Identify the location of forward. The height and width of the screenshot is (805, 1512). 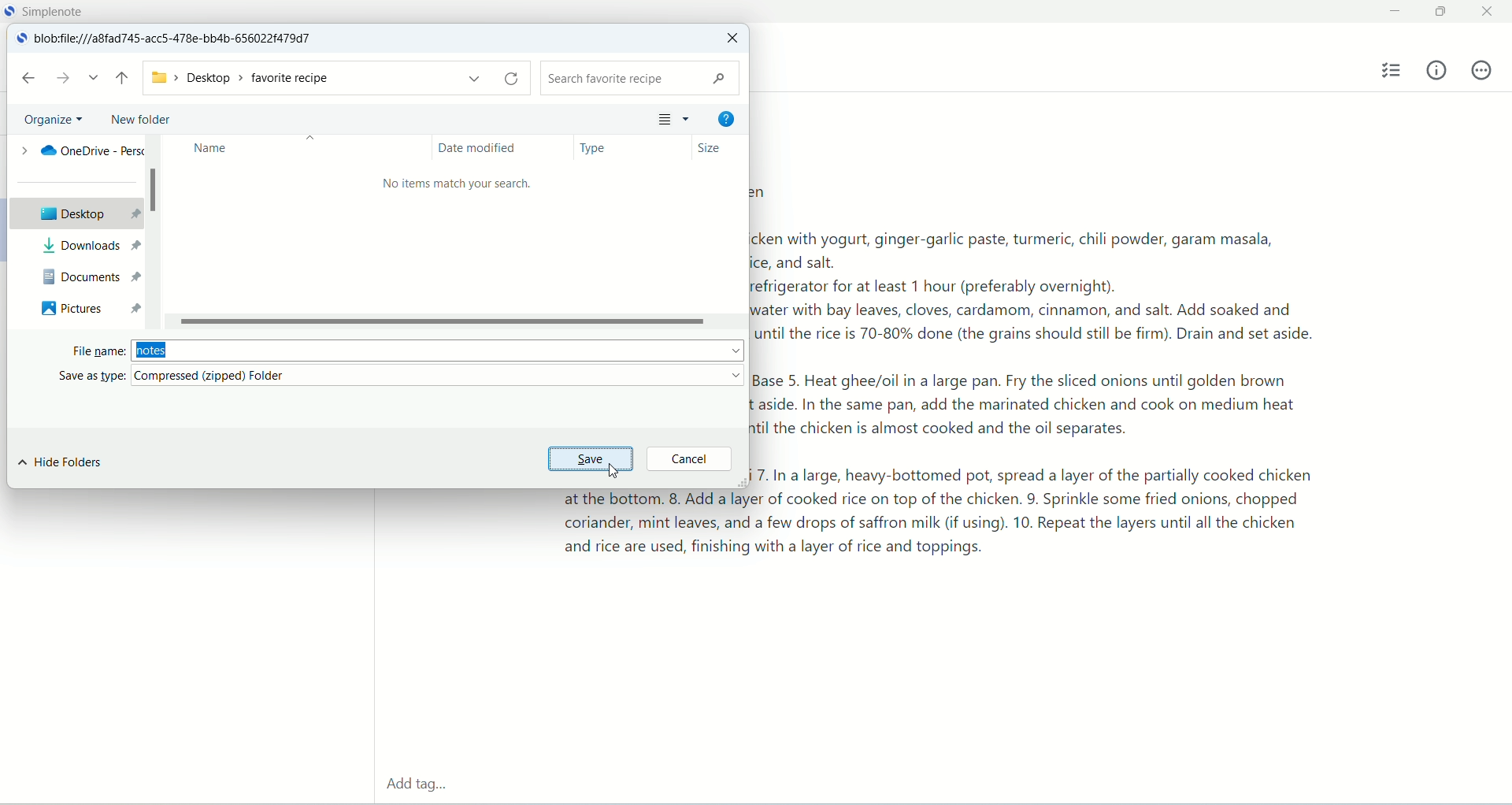
(64, 77).